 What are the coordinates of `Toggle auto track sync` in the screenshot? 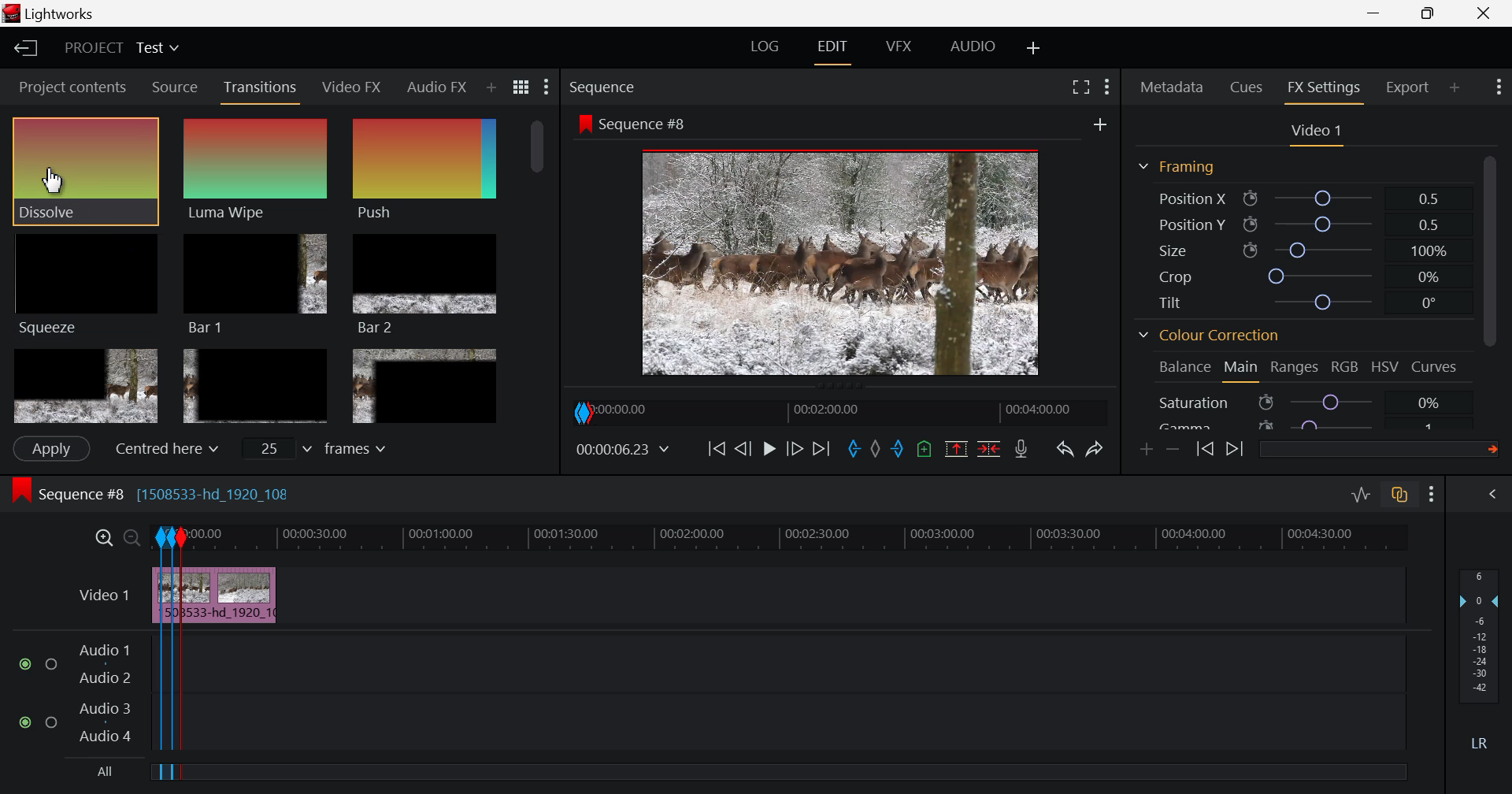 It's located at (1400, 495).